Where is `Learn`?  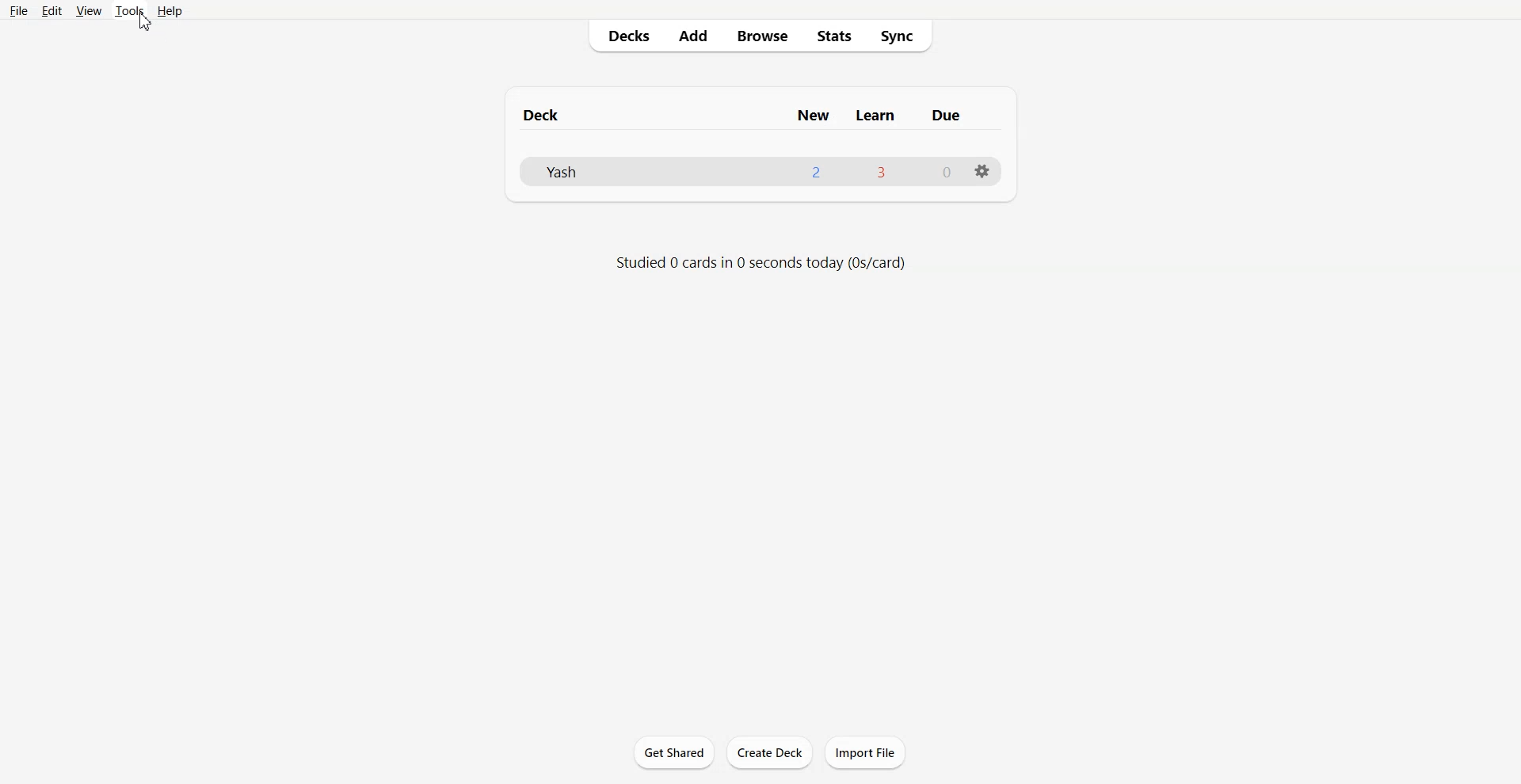
Learn is located at coordinates (874, 114).